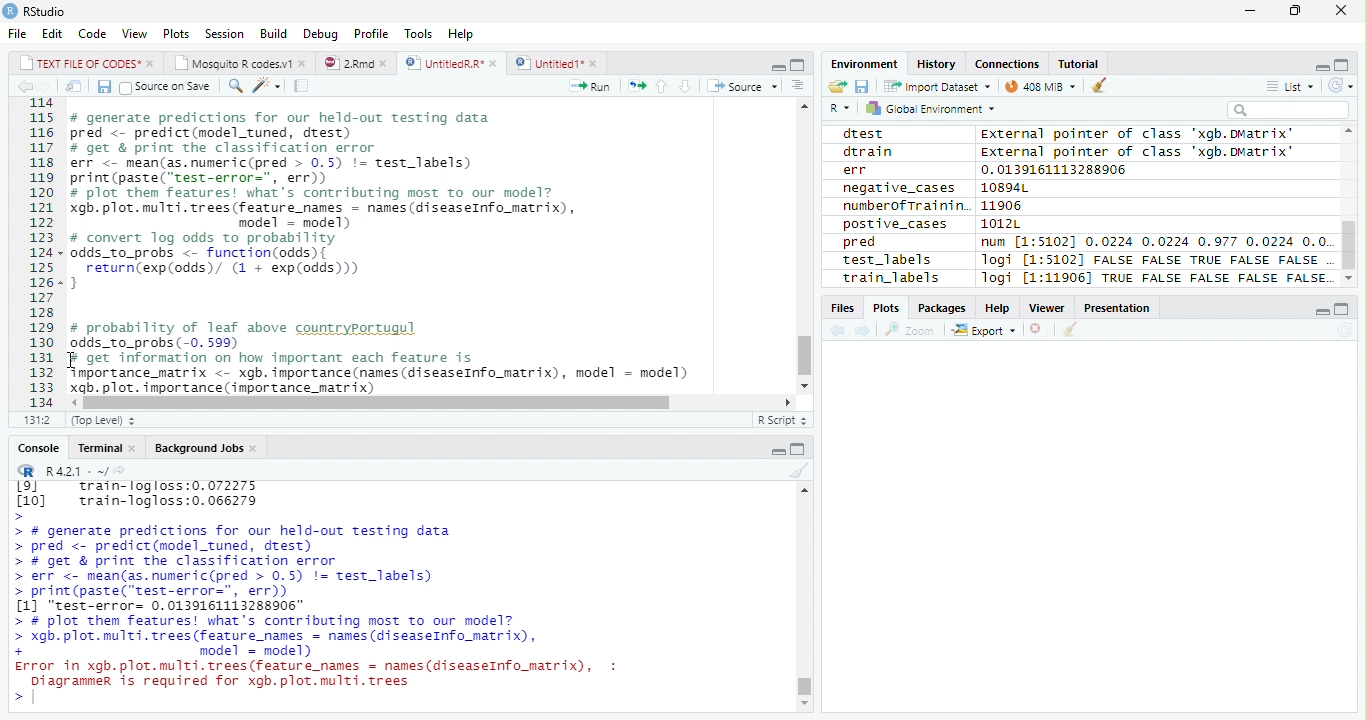  What do you see at coordinates (174, 33) in the screenshot?
I see `Plots` at bounding box center [174, 33].